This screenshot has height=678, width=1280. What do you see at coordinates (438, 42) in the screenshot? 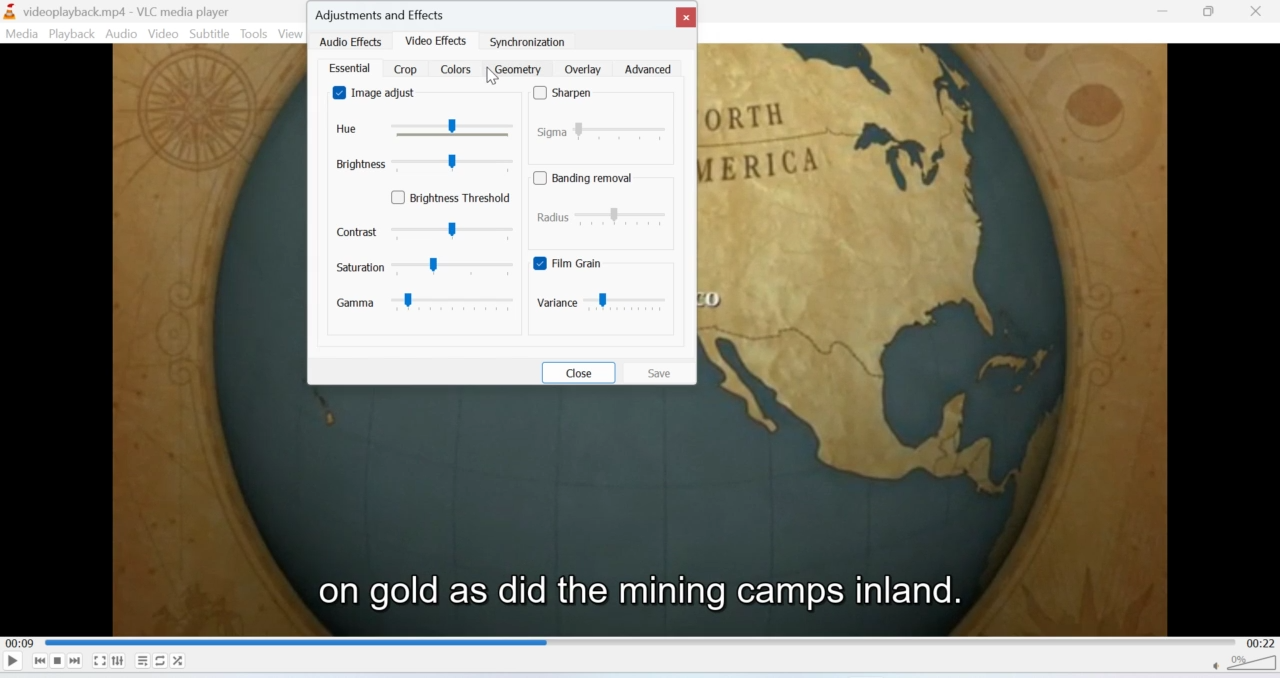
I see `video effects` at bounding box center [438, 42].